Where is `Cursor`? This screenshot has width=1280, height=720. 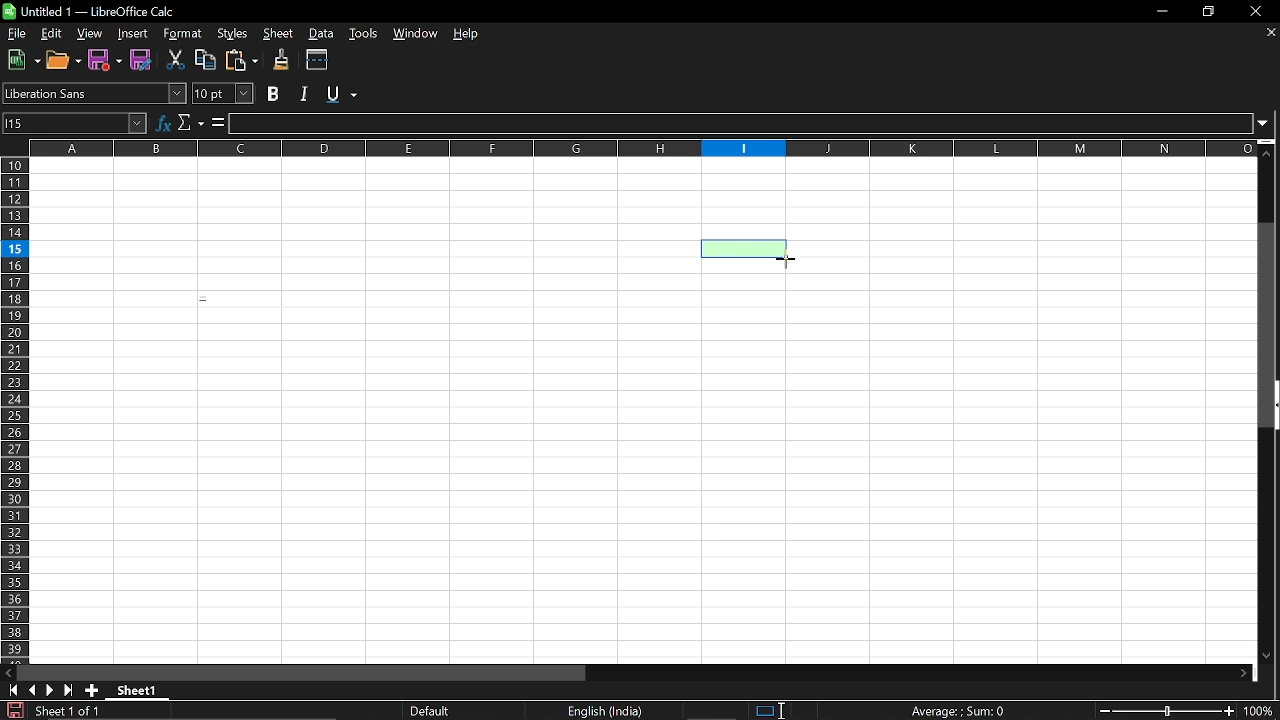 Cursor is located at coordinates (783, 259).